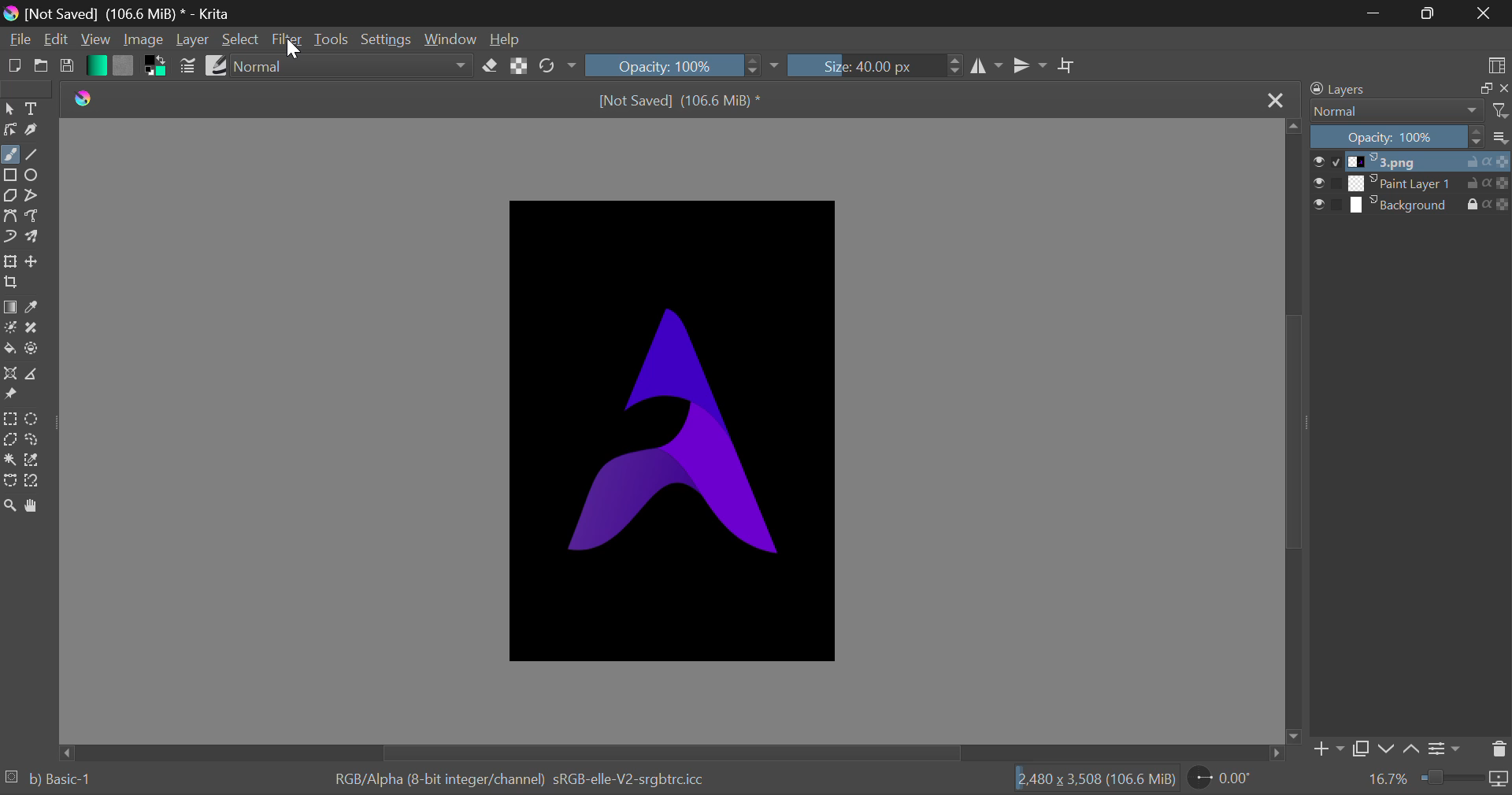 The image size is (1512, 795). I want to click on options, so click(1499, 135).